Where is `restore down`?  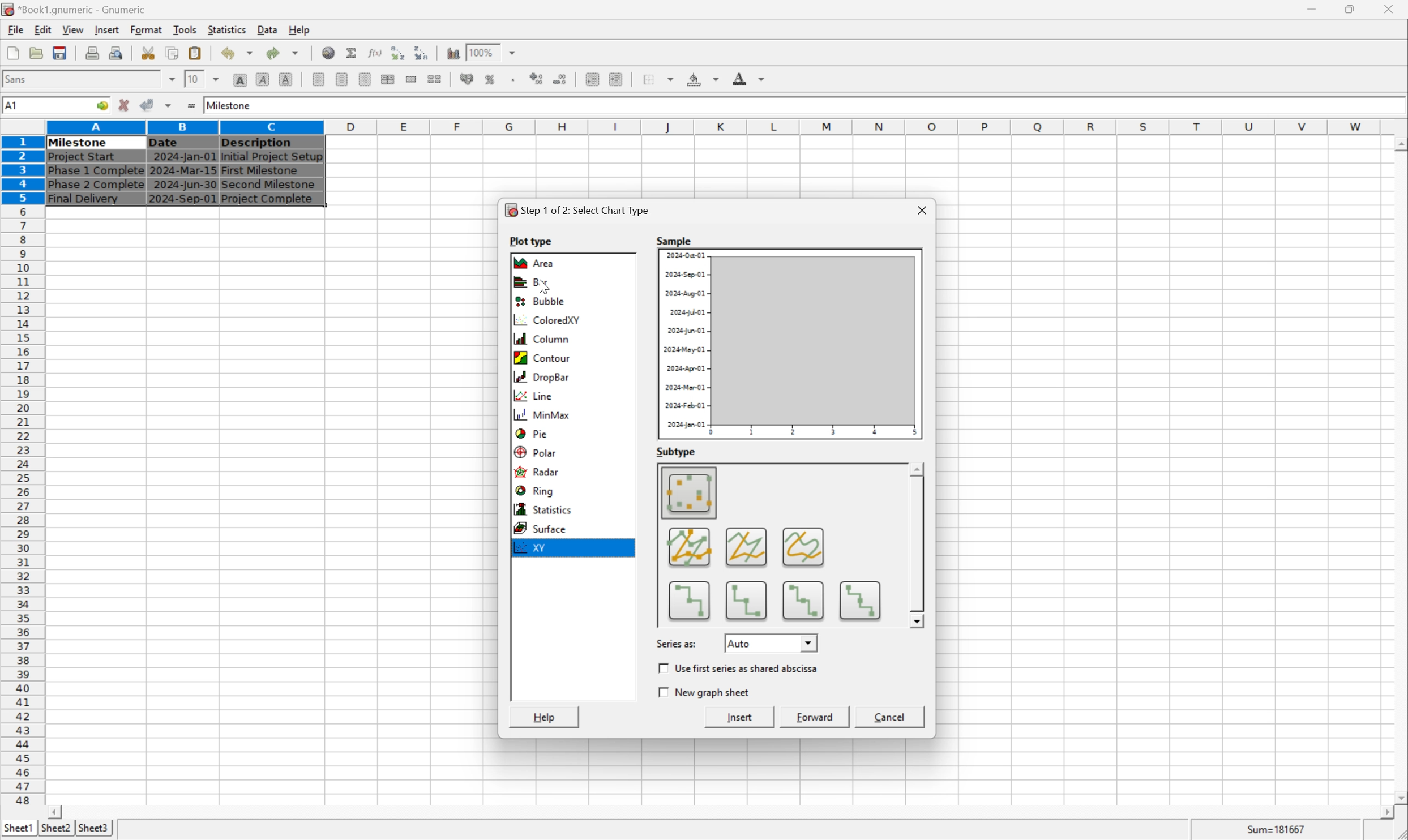 restore down is located at coordinates (1354, 9).